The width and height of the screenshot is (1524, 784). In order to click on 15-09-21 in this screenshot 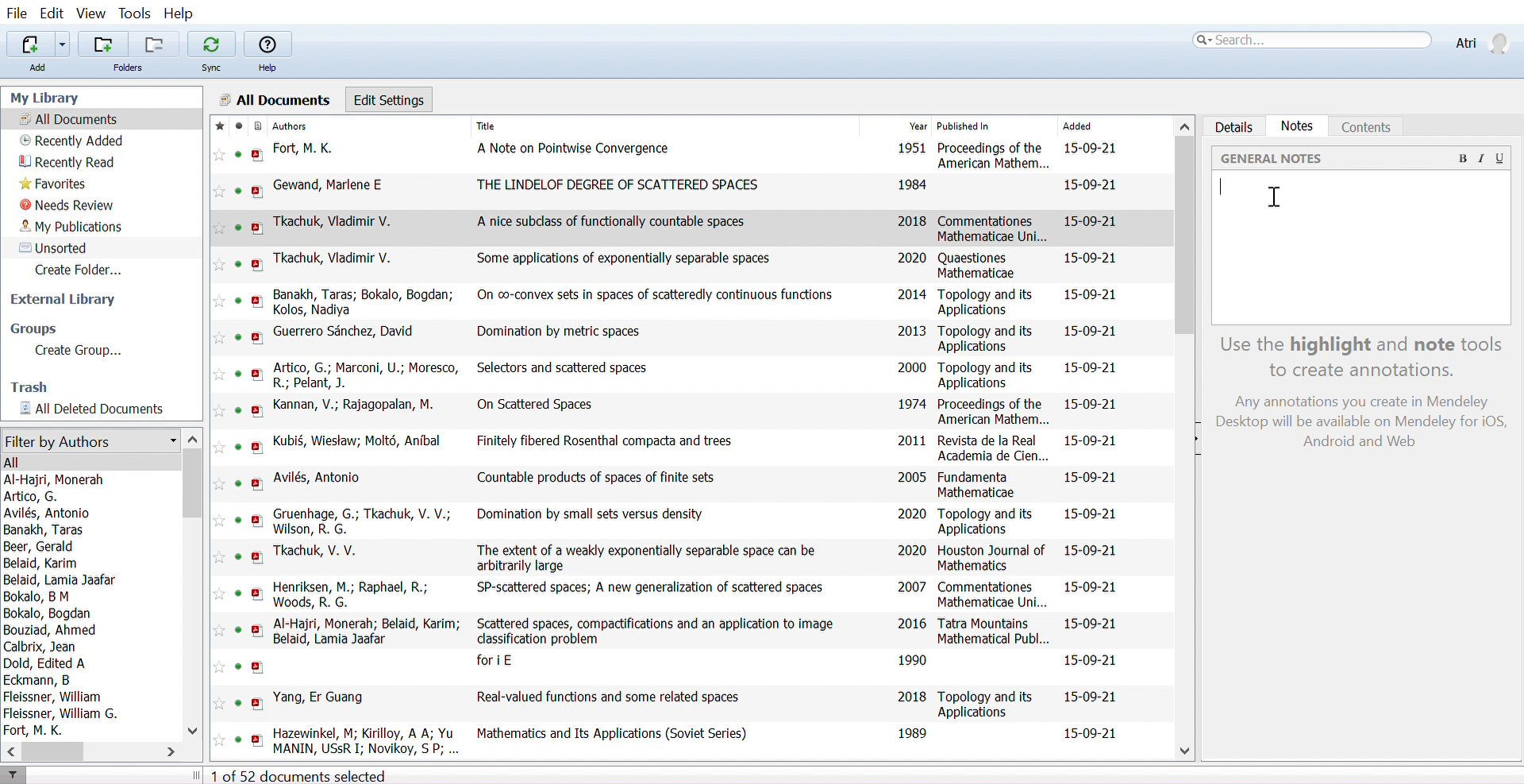, I will do `click(1090, 367)`.